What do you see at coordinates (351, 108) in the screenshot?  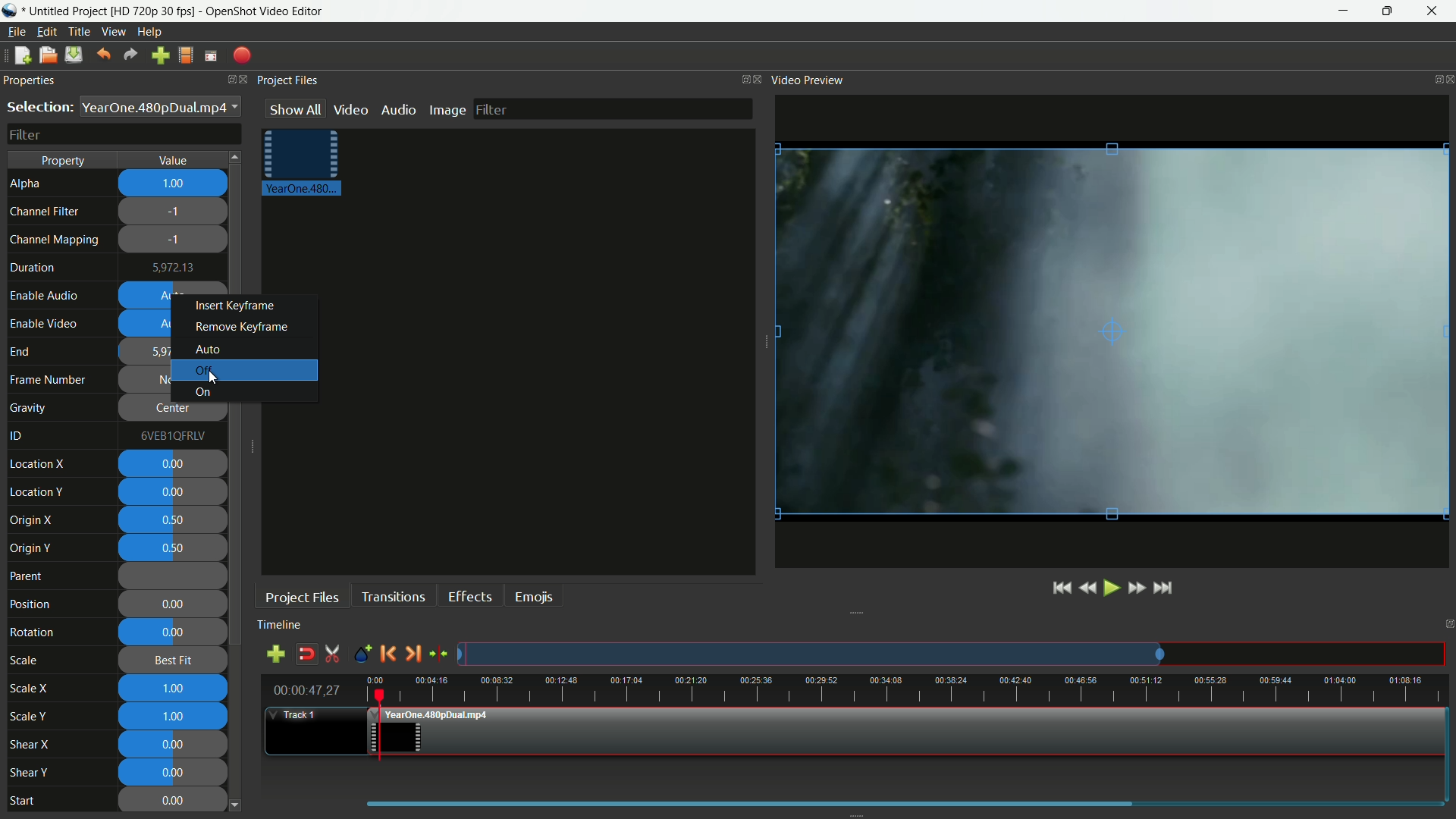 I see `video` at bounding box center [351, 108].